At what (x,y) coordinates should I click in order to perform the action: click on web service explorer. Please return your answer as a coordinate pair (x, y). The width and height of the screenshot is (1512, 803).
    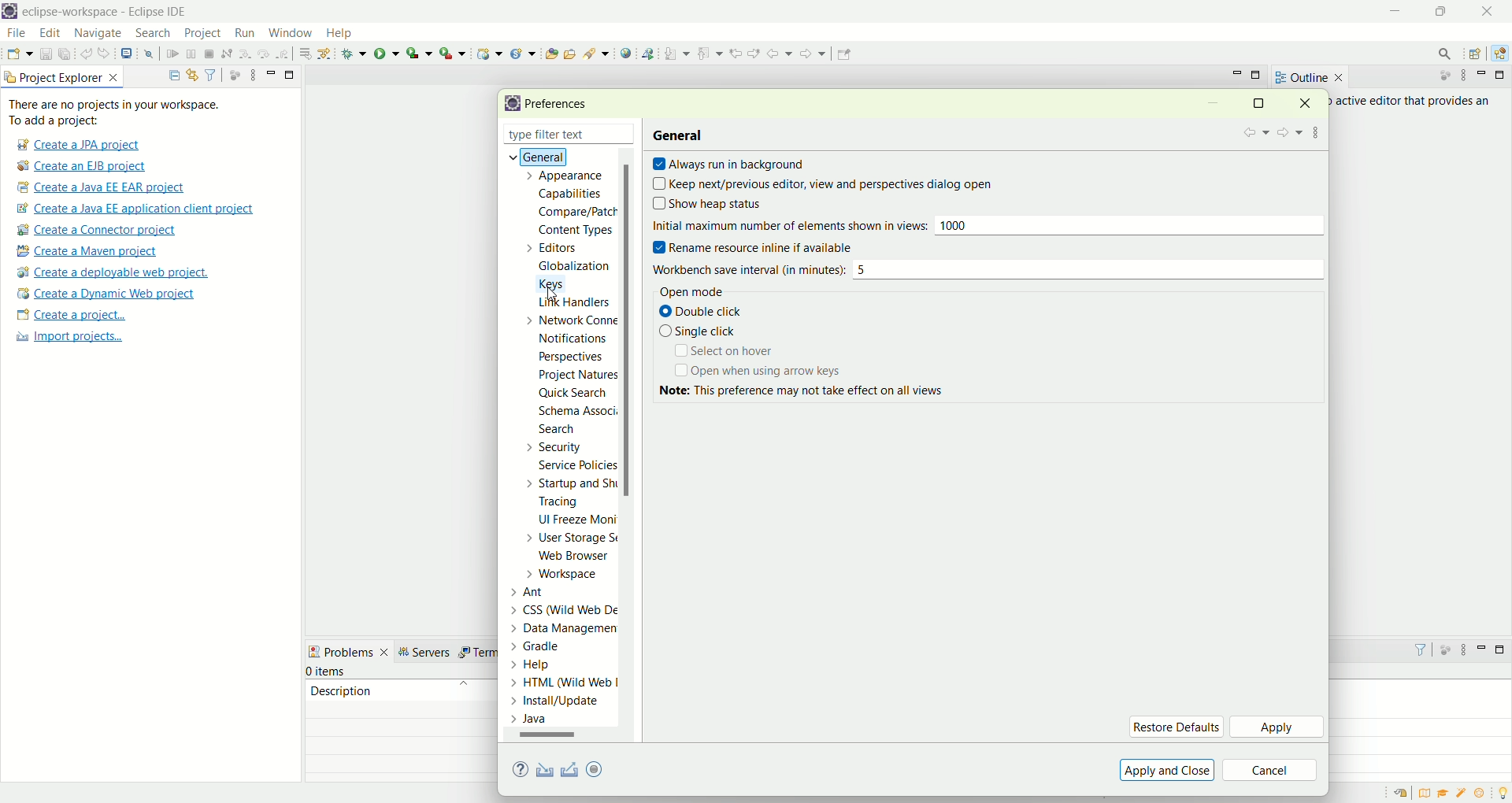
    Looking at the image, I should click on (647, 53).